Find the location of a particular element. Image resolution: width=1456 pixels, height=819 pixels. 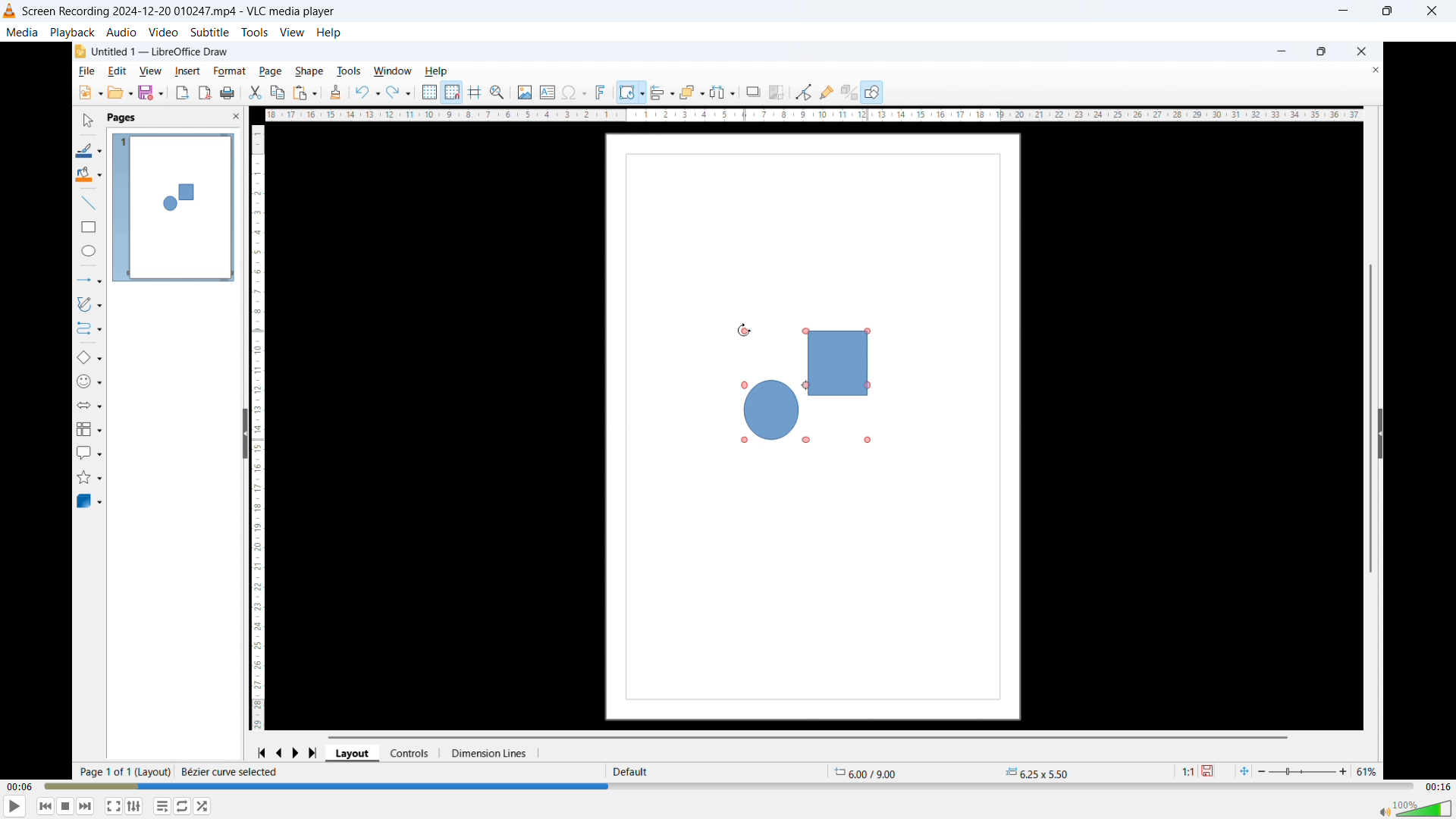

Backward or previous media  is located at coordinates (45, 806).